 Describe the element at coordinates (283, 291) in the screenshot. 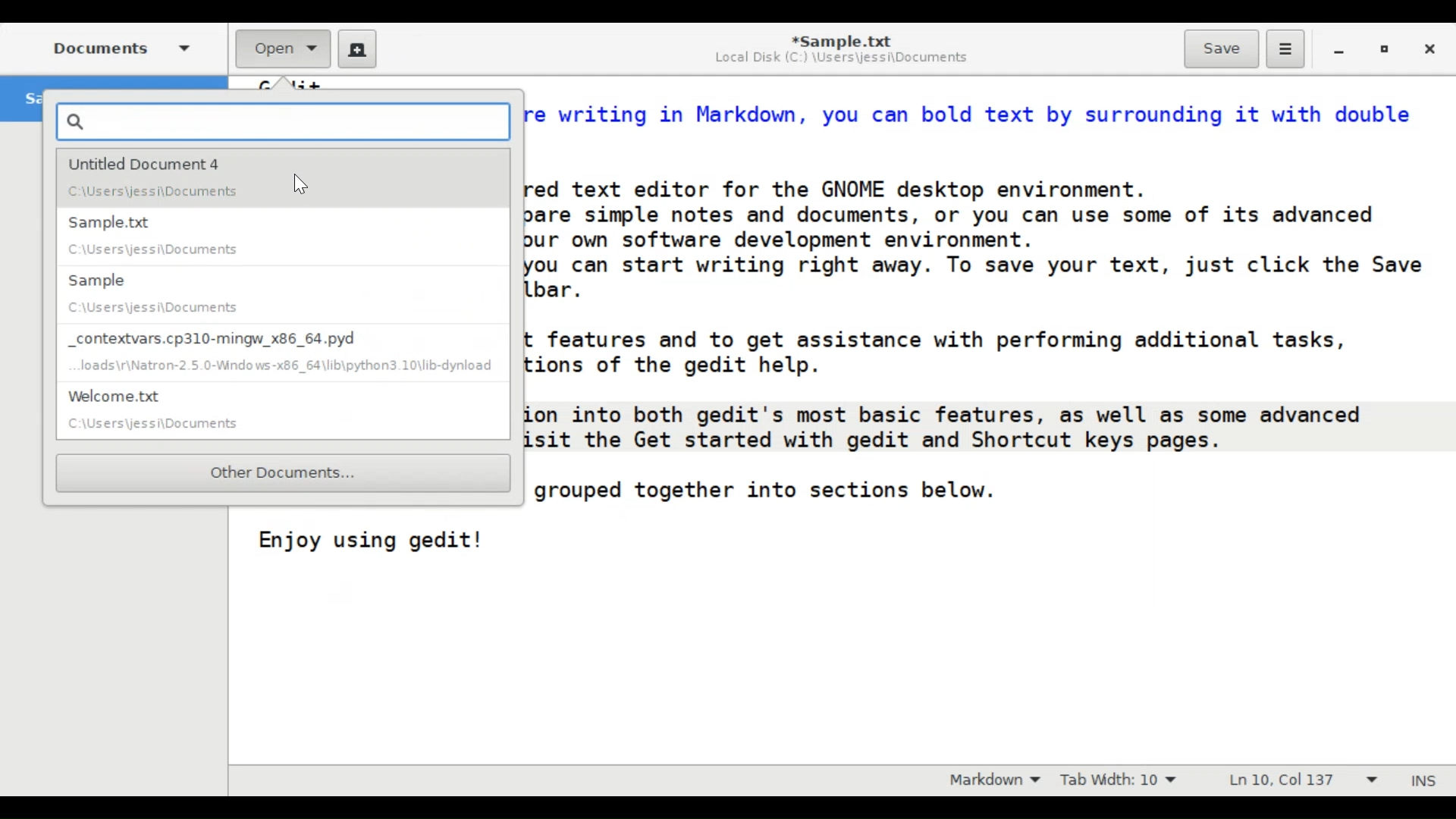

I see `Sample` at that location.